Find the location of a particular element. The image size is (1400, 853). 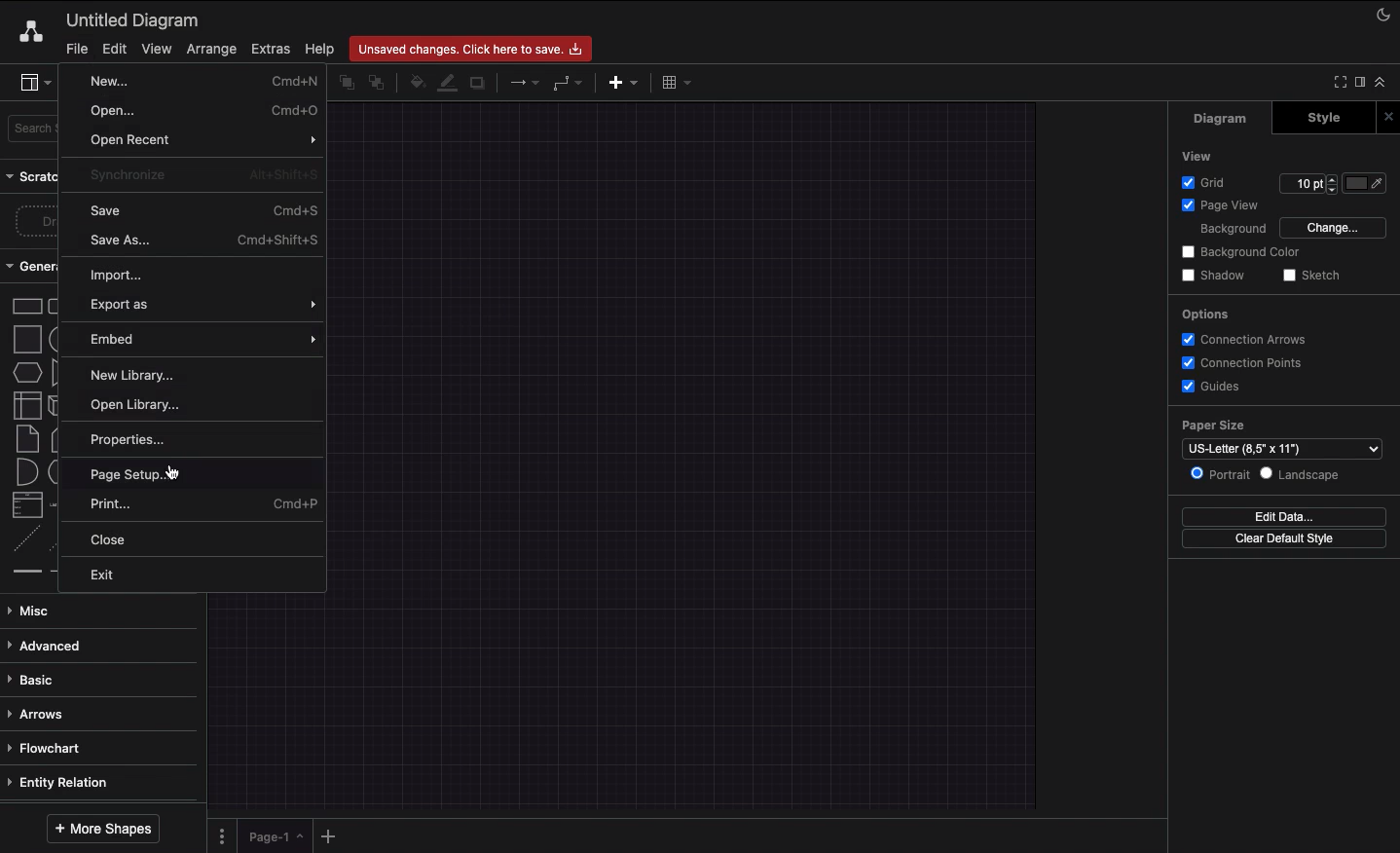

Background  is located at coordinates (1221, 230).